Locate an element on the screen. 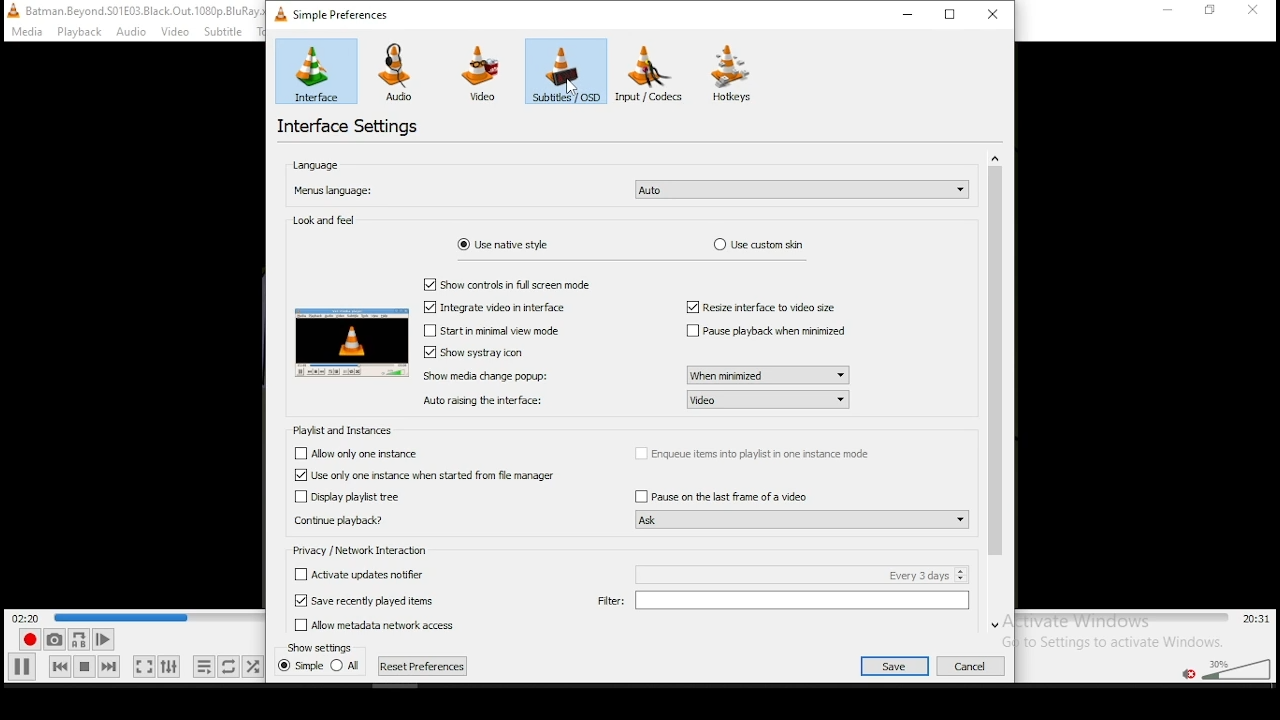 This screenshot has height=720, width=1280. playlist and instances is located at coordinates (344, 430).